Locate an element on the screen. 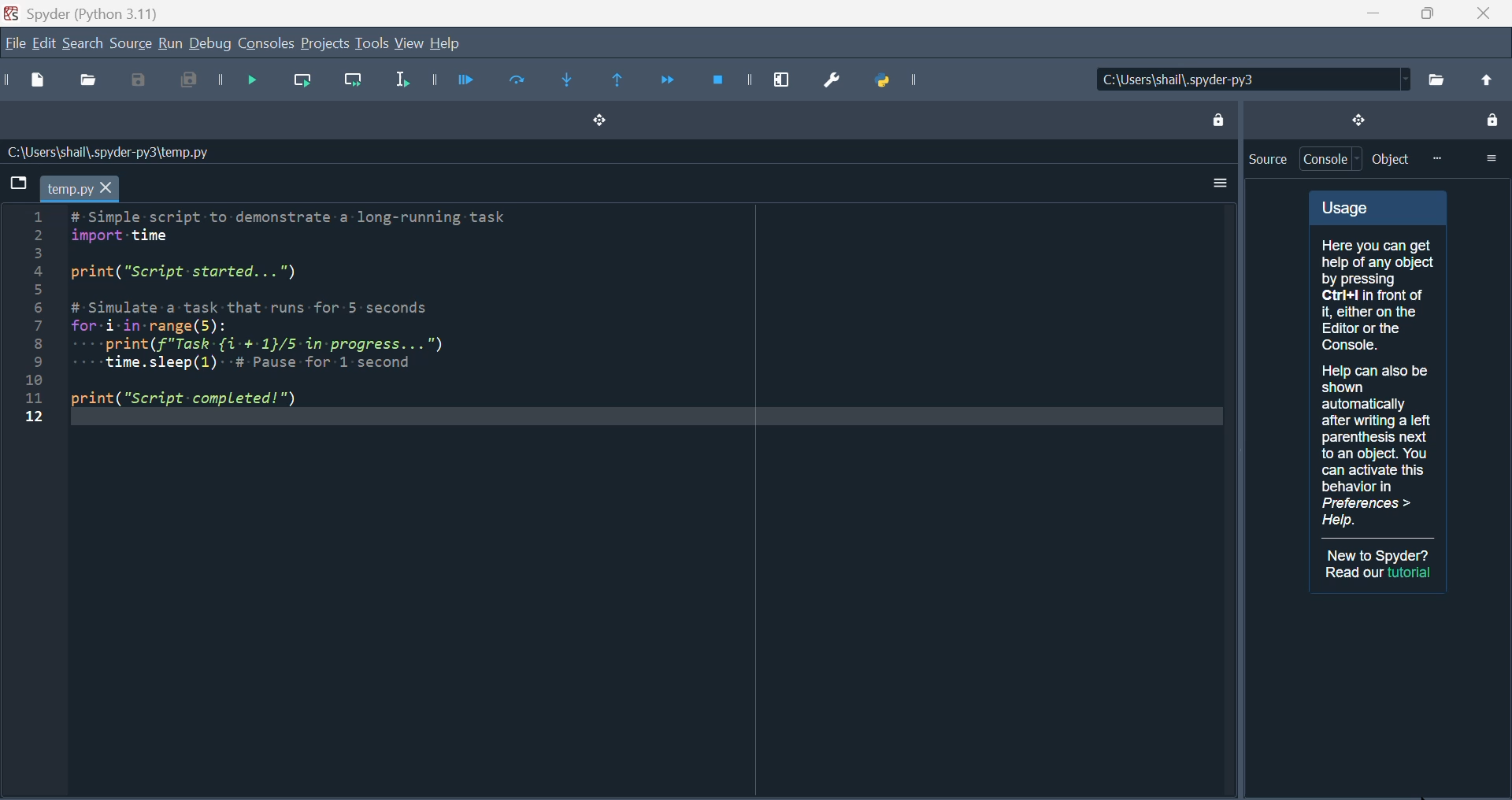 Image resolution: width=1512 pixels, height=800 pixels. view is located at coordinates (410, 44).